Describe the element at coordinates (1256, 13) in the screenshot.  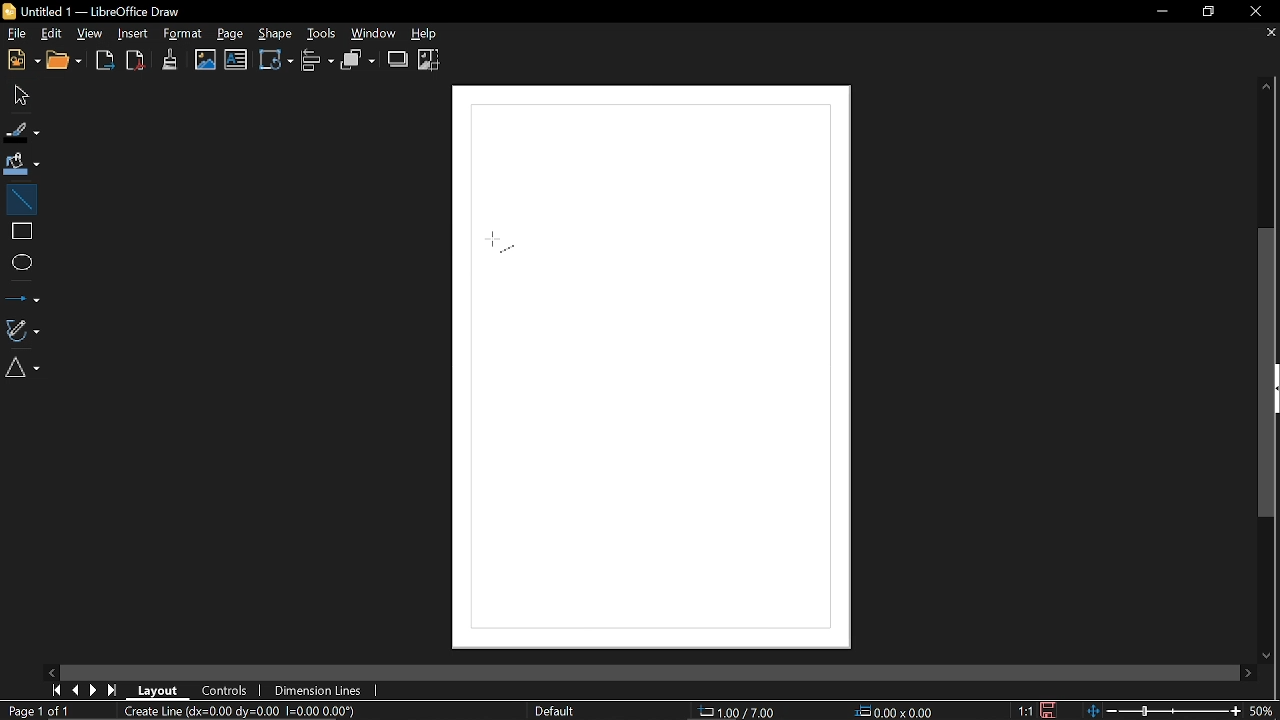
I see `Close` at that location.